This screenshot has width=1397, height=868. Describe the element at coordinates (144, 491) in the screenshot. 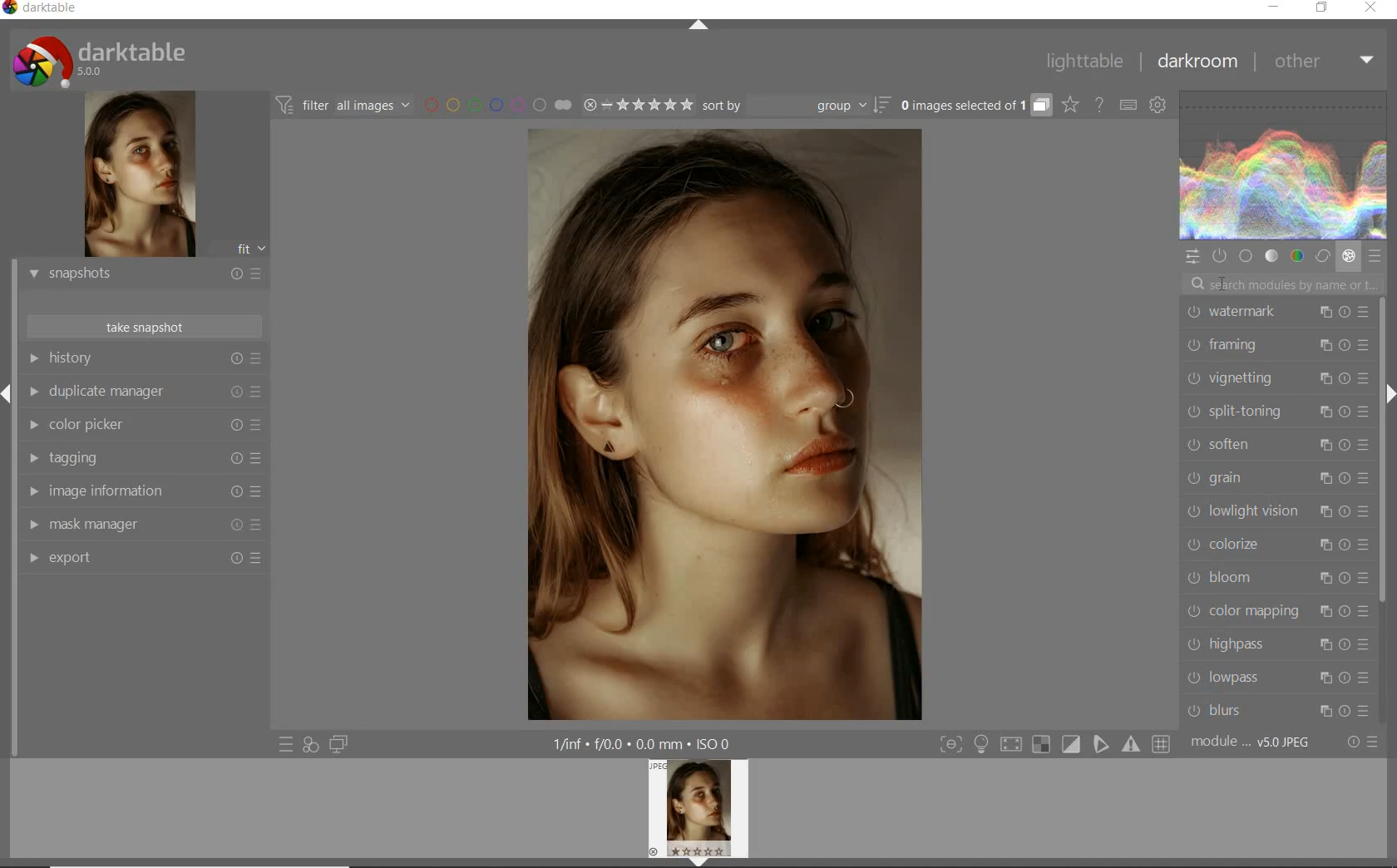

I see `image information` at that location.